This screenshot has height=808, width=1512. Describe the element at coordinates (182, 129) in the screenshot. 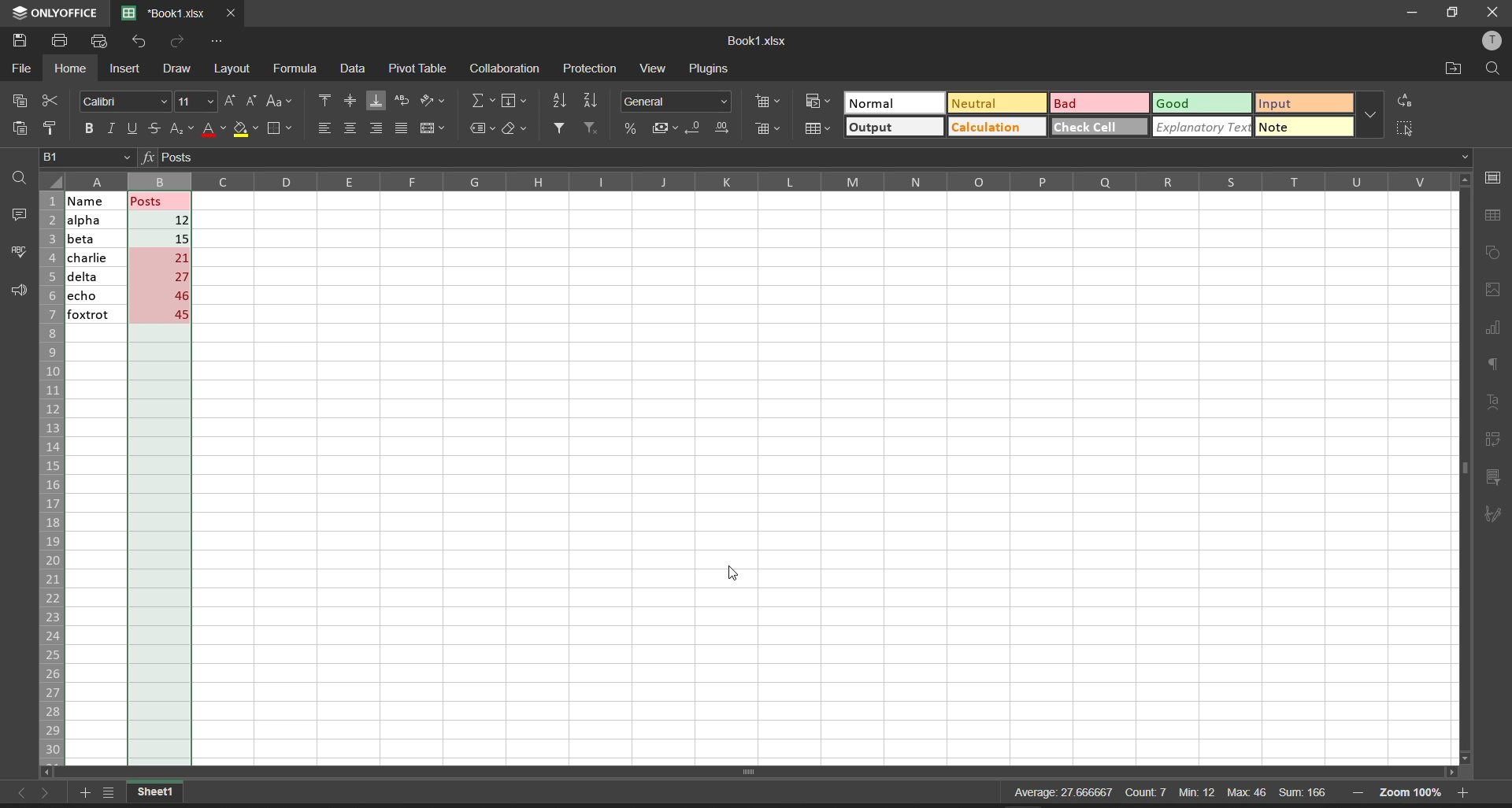

I see `subscript/superscript` at that location.